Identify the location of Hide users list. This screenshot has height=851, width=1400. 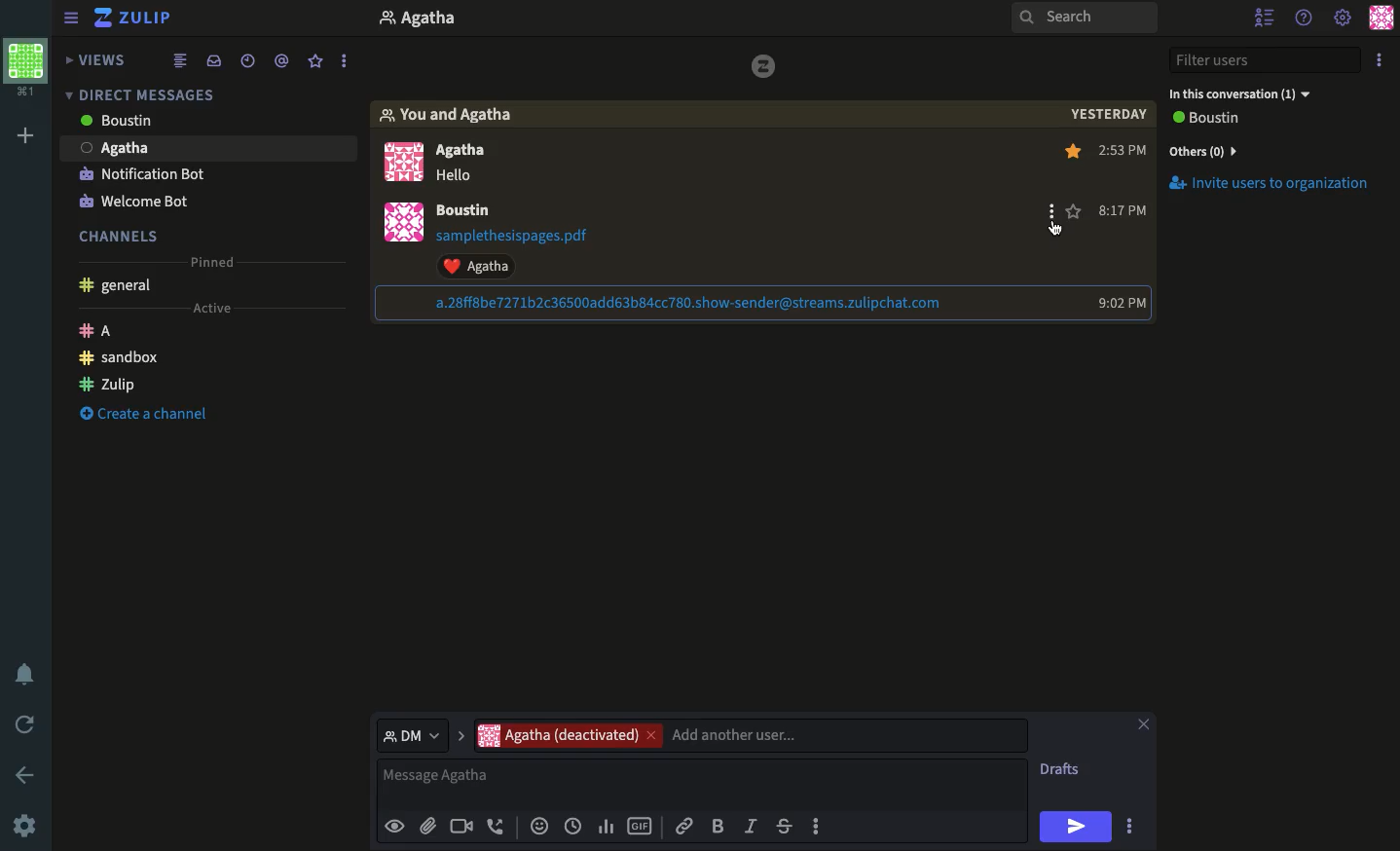
(1264, 16).